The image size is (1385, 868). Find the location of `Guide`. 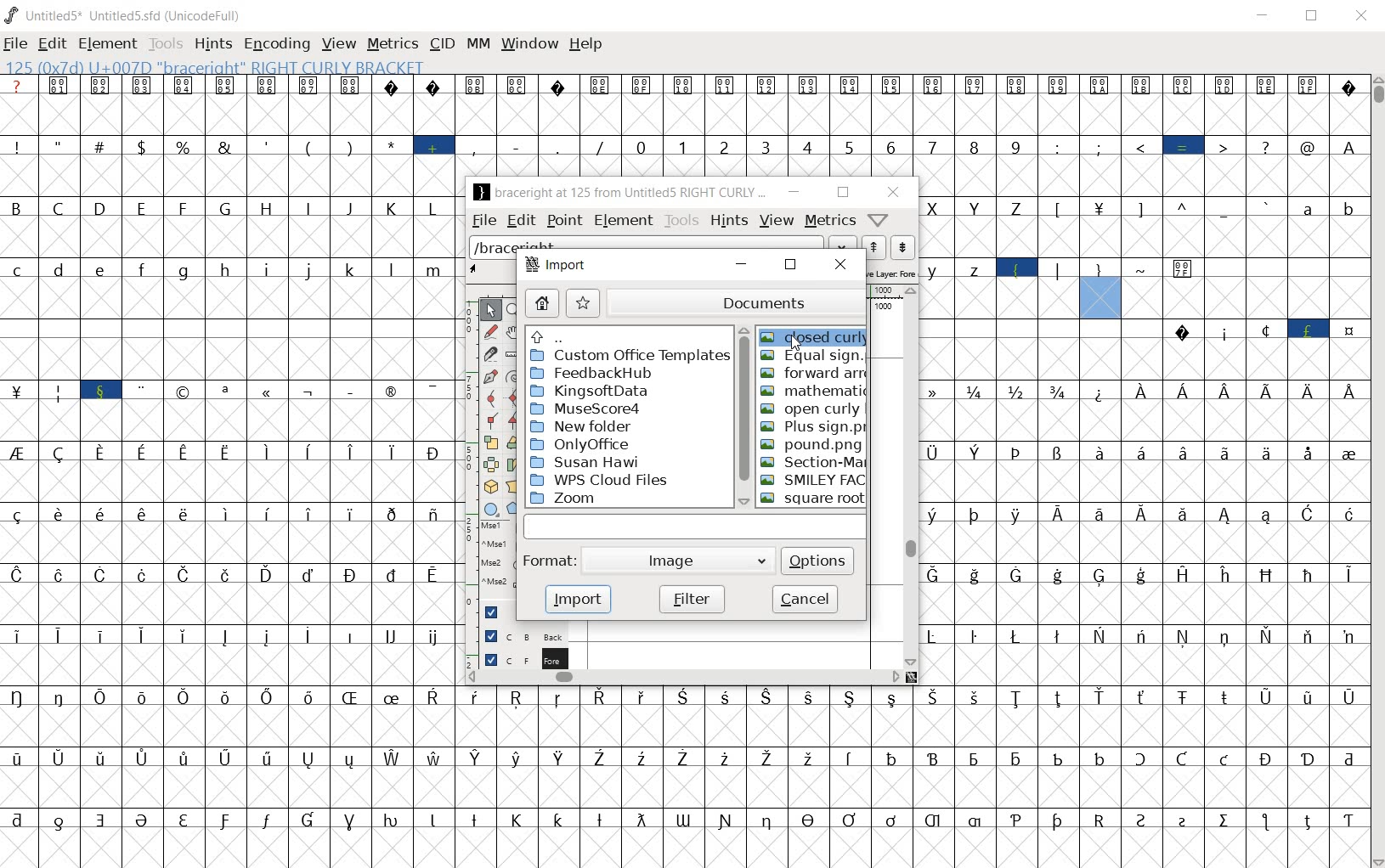

Guide is located at coordinates (490, 612).